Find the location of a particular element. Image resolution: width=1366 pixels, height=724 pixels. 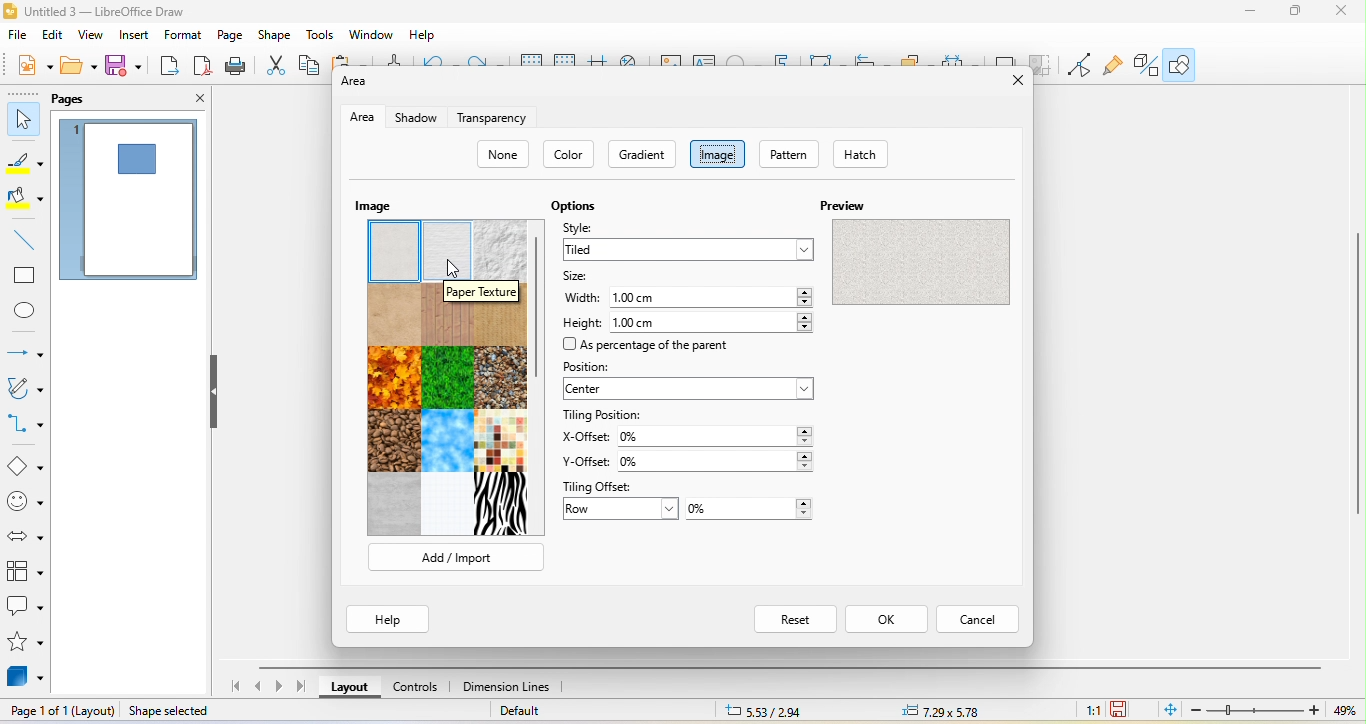

tiling offset is located at coordinates (605, 486).